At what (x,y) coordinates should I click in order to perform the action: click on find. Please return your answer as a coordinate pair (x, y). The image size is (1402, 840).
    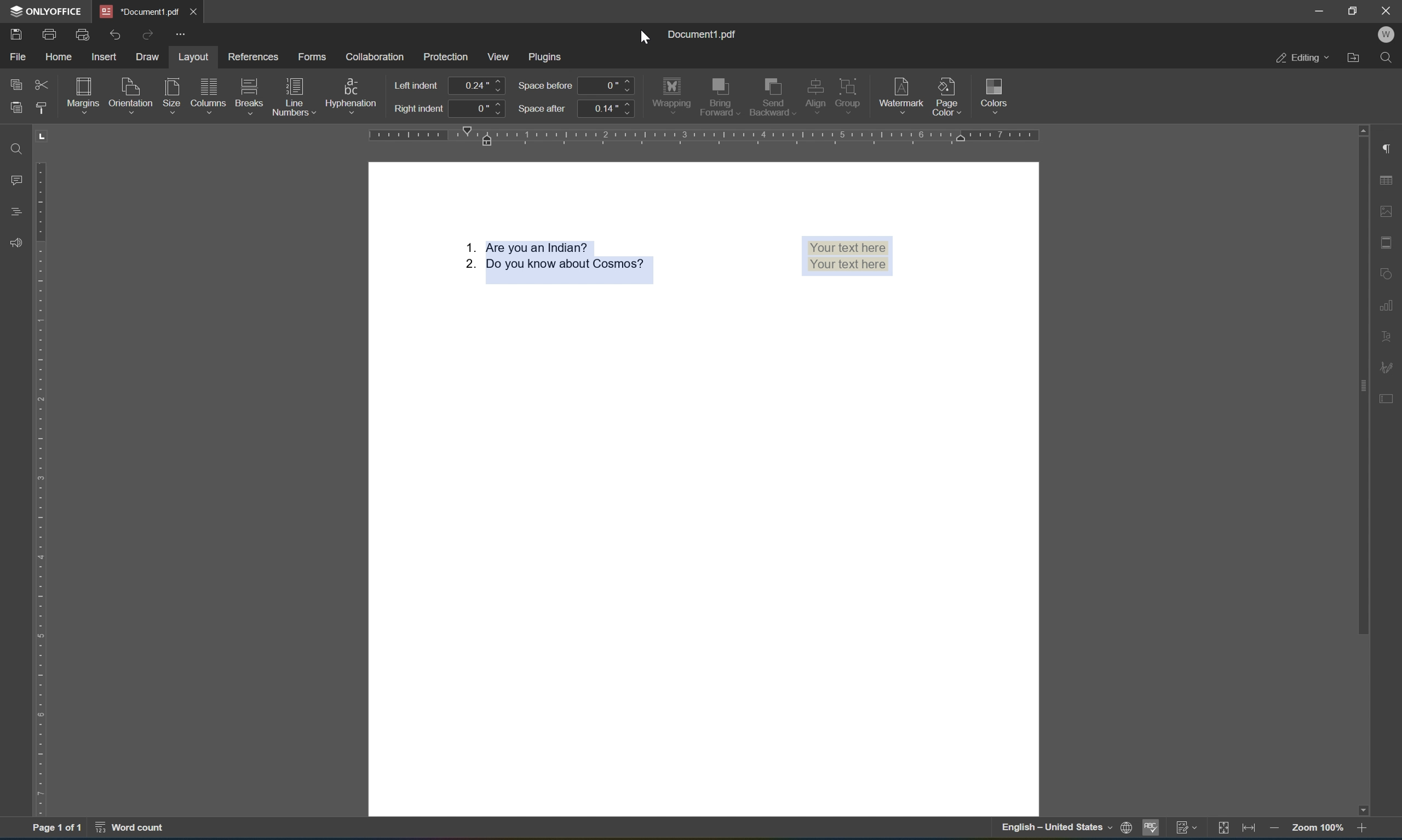
    Looking at the image, I should click on (1391, 58).